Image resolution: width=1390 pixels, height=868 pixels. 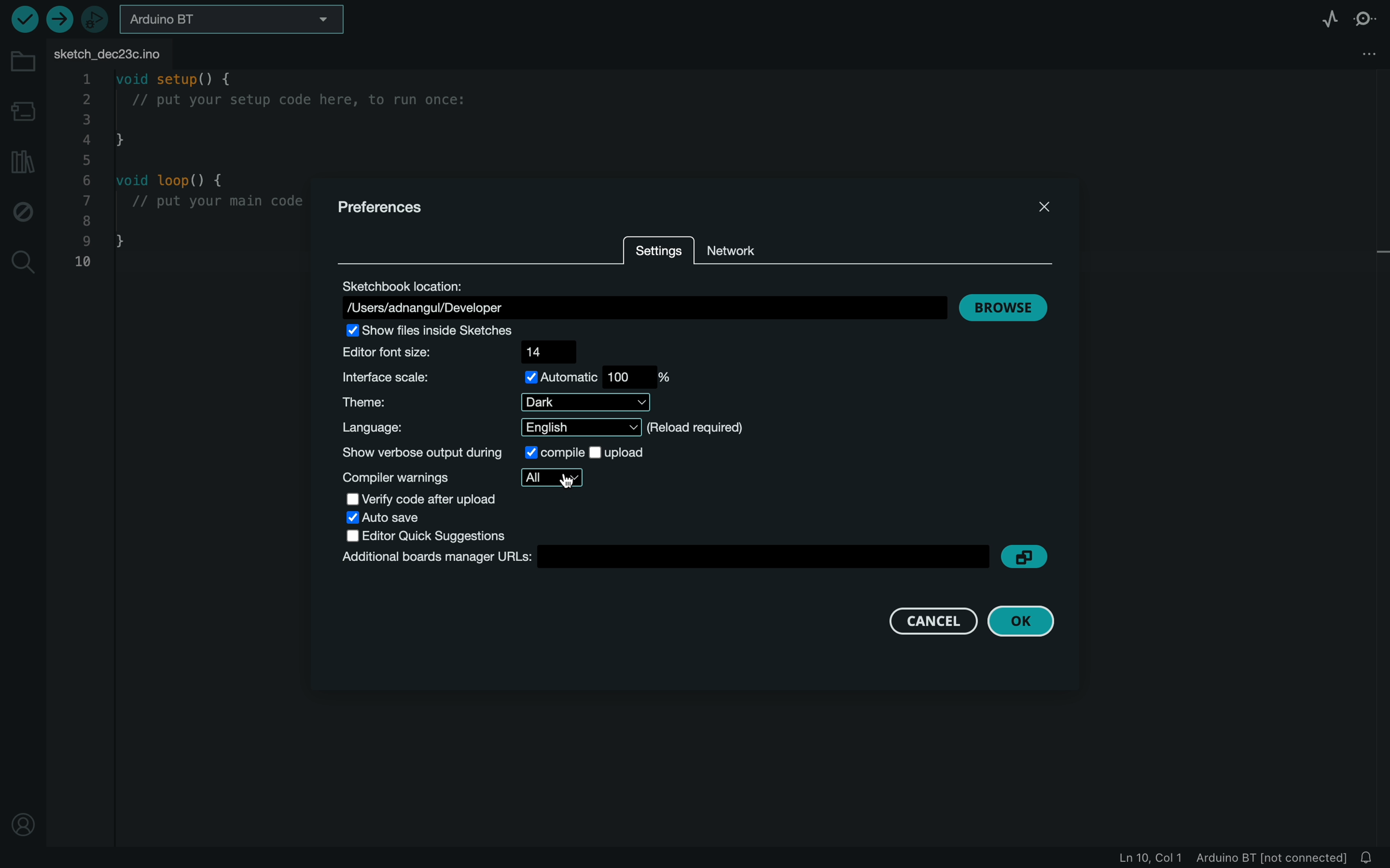 I want to click on code, so click(x=186, y=172).